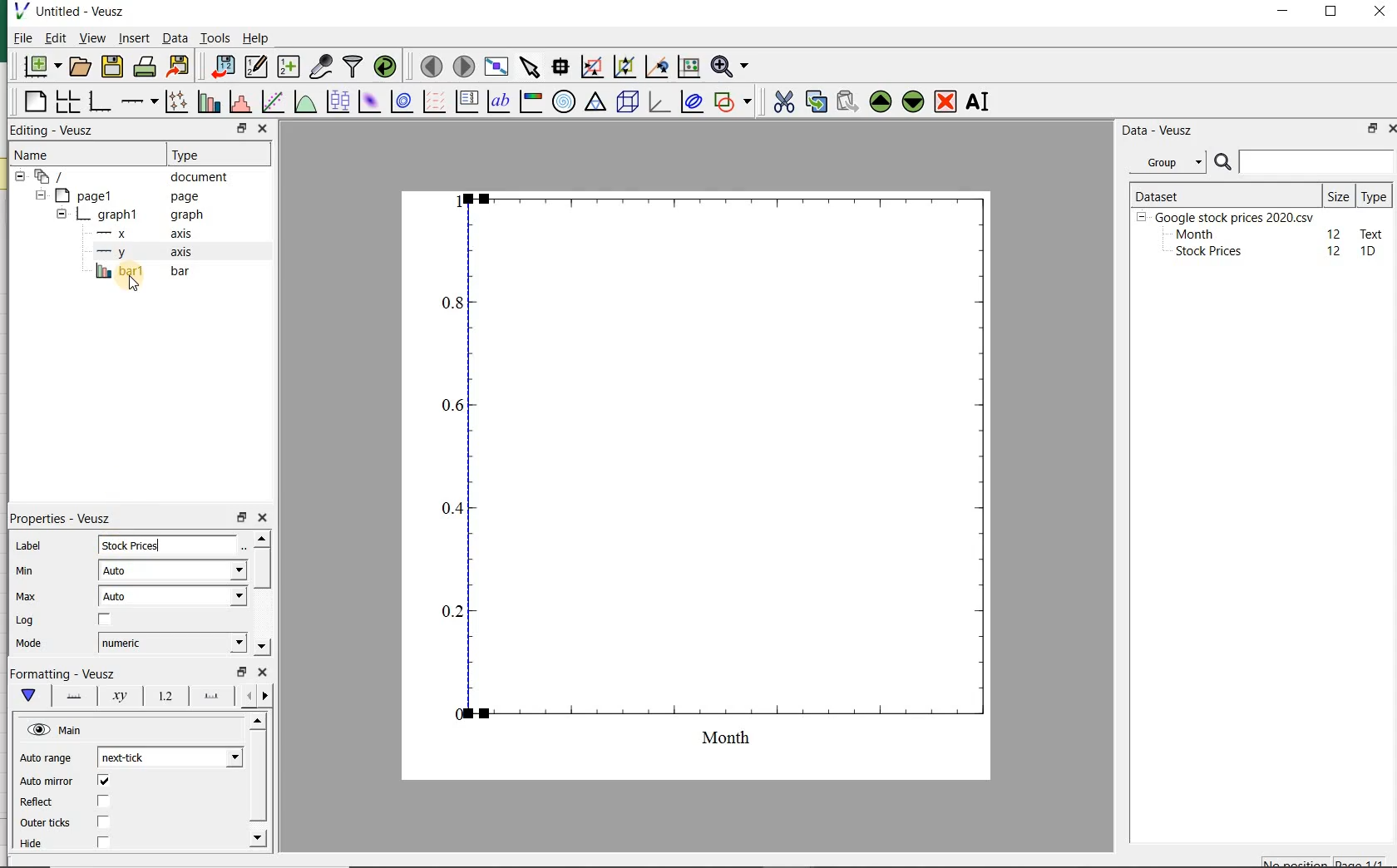 This screenshot has height=868, width=1397. I want to click on Group datasets with property given, so click(1163, 162).